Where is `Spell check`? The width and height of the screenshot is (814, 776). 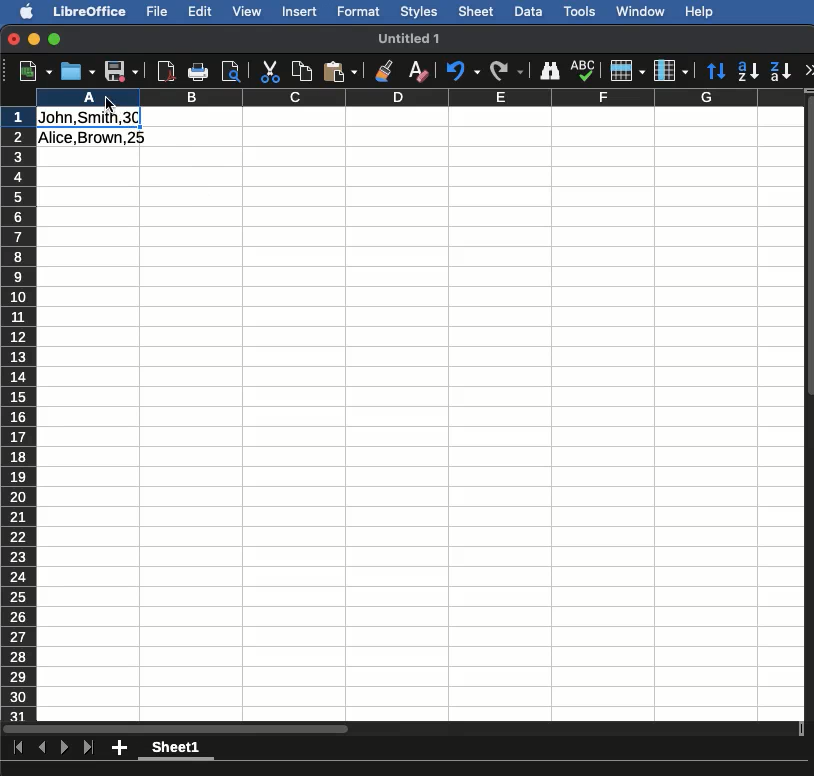
Spell check is located at coordinates (584, 69).